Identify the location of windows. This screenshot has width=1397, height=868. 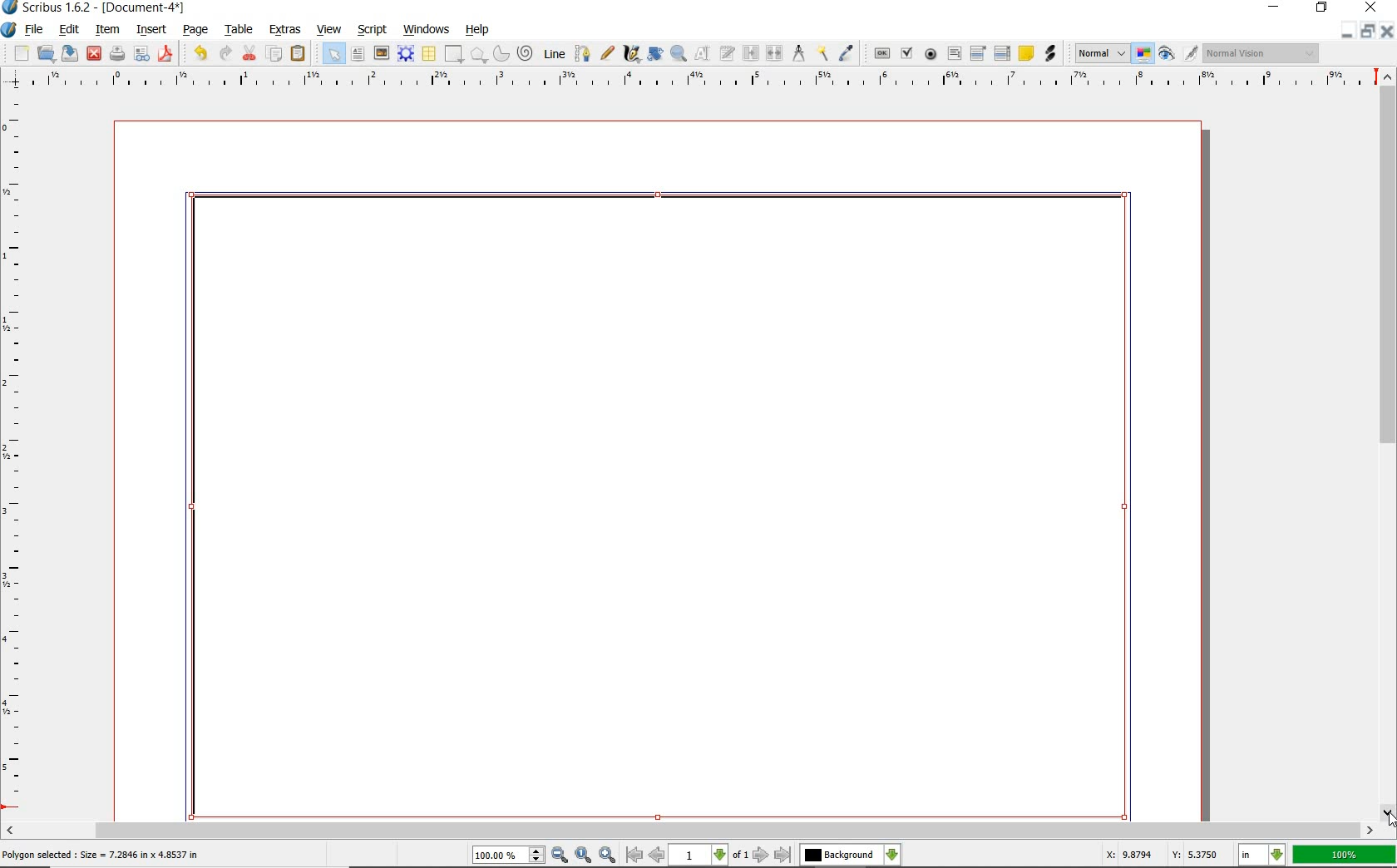
(426, 29).